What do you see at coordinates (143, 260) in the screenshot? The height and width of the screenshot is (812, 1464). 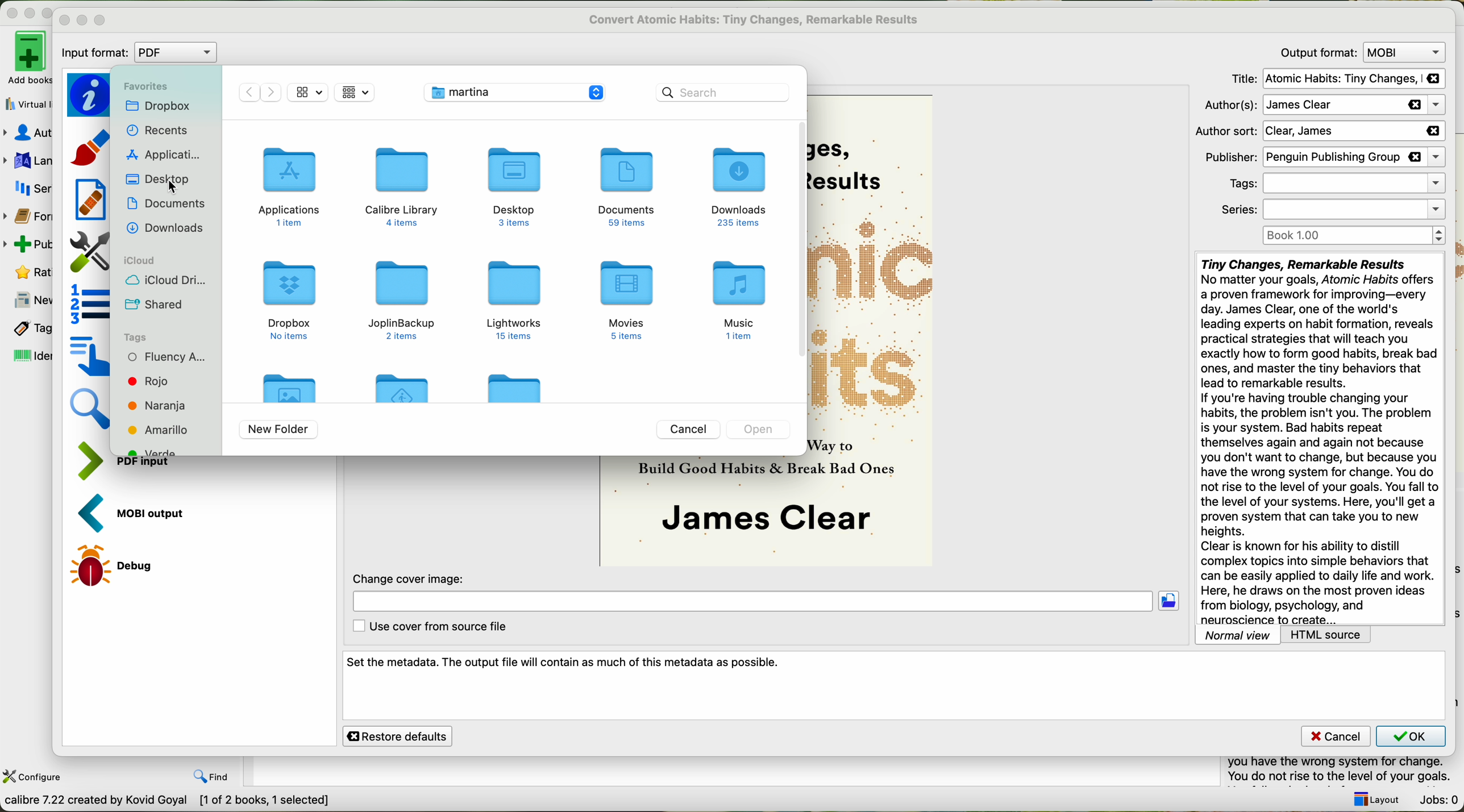 I see `icloud` at bounding box center [143, 260].